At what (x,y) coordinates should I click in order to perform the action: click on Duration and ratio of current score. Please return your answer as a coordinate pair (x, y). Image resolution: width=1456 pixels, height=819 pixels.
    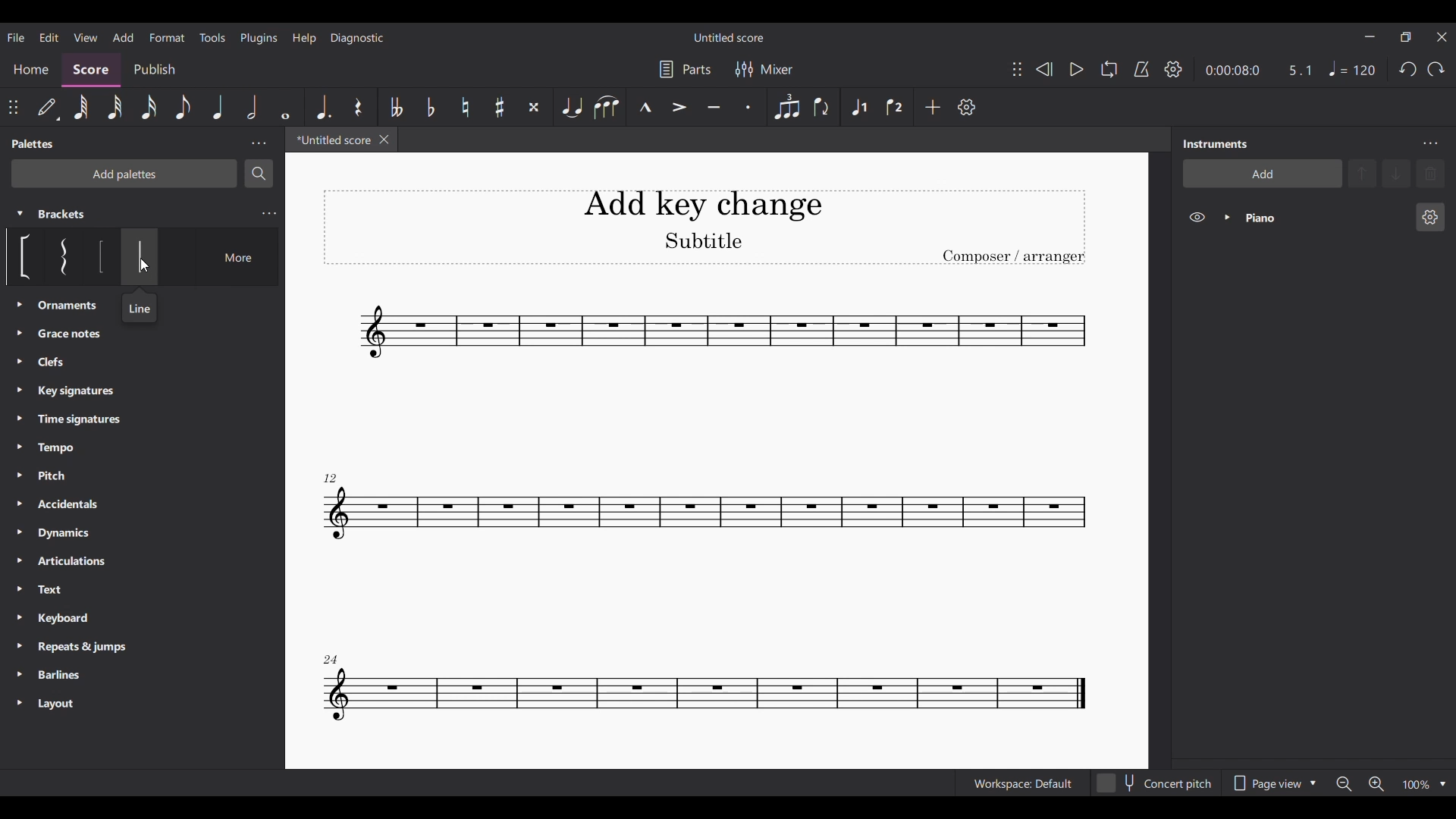
    Looking at the image, I should click on (1258, 70).